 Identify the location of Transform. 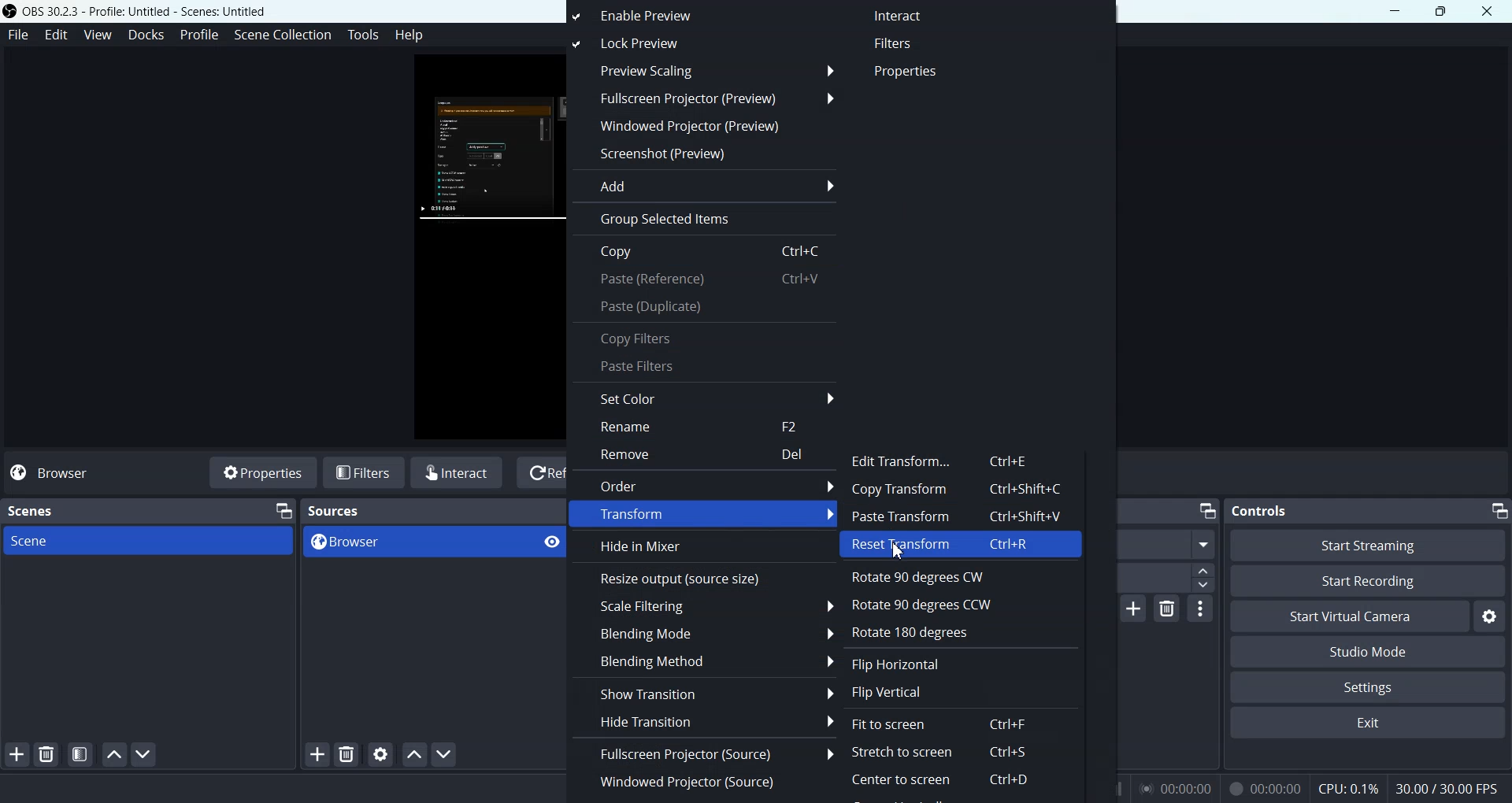
(703, 515).